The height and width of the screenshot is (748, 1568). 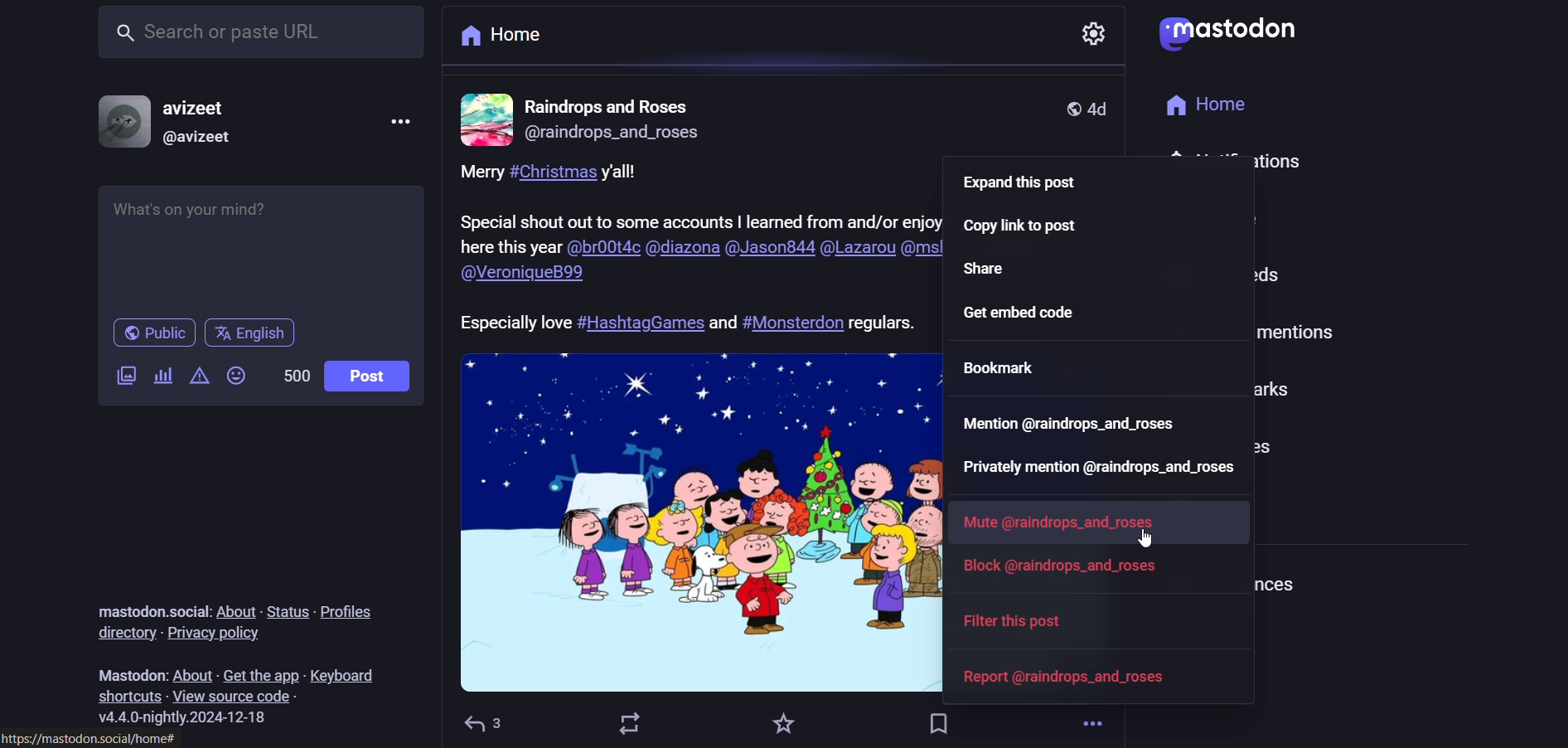 I want to click on bookmark, so click(x=1003, y=368).